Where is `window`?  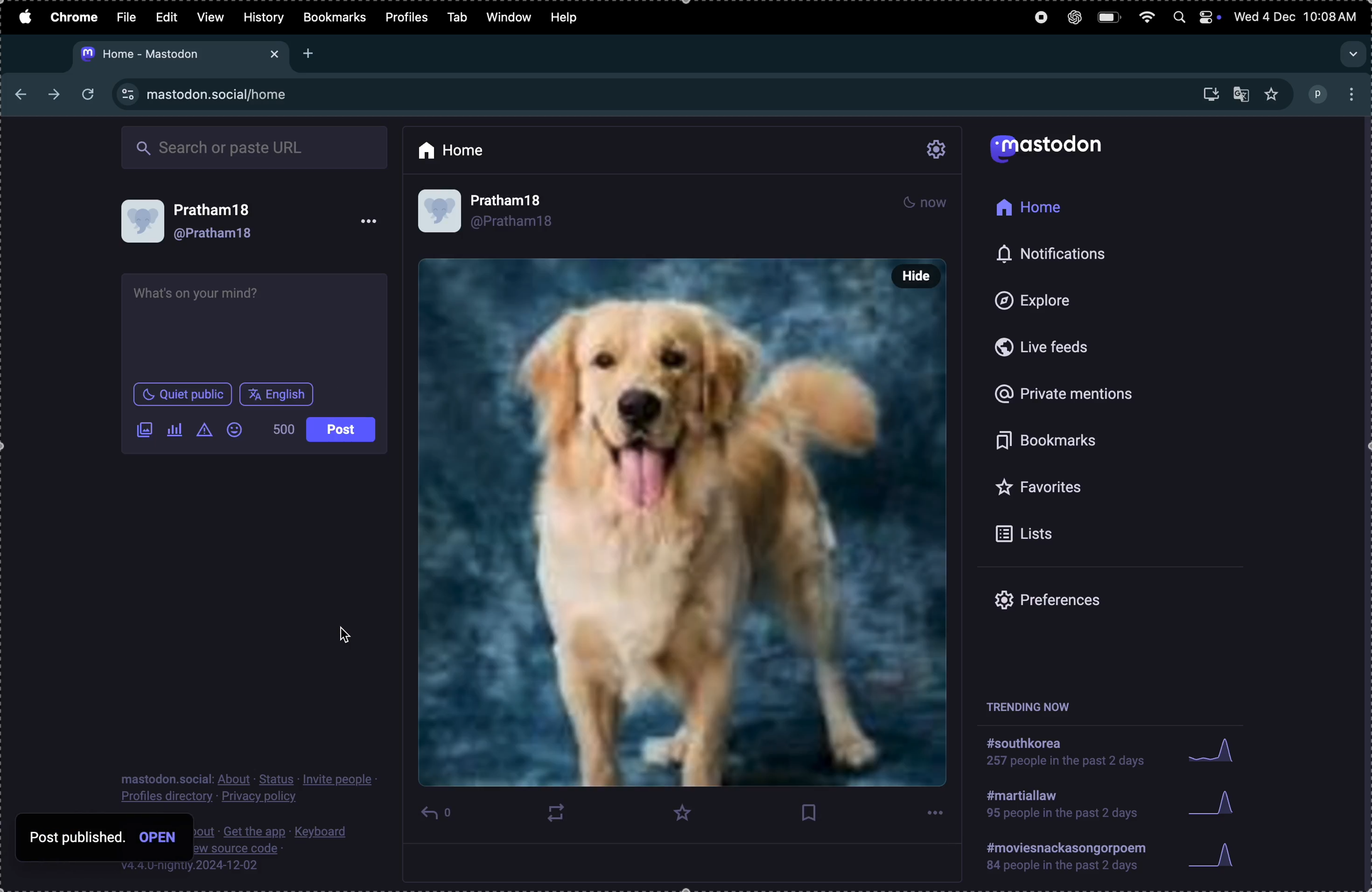 window is located at coordinates (509, 17).